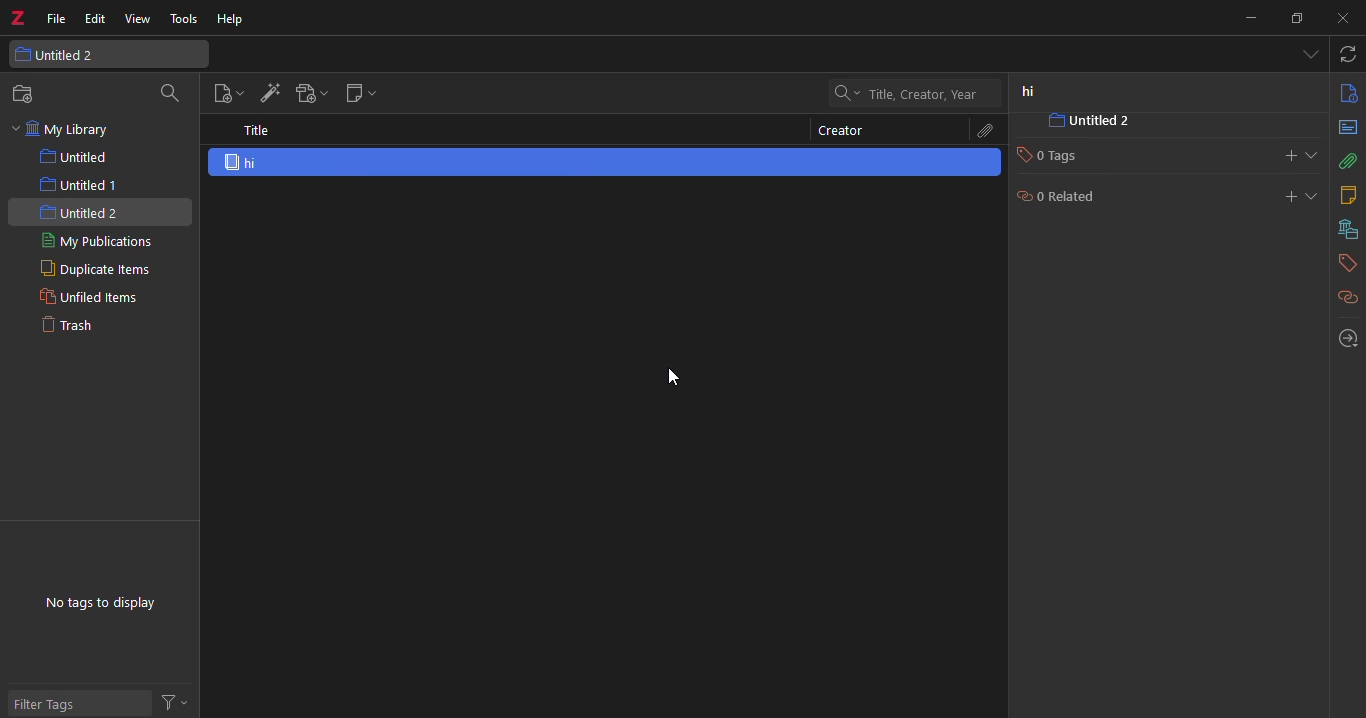 Image resolution: width=1366 pixels, height=718 pixels. Describe the element at coordinates (137, 20) in the screenshot. I see `view` at that location.